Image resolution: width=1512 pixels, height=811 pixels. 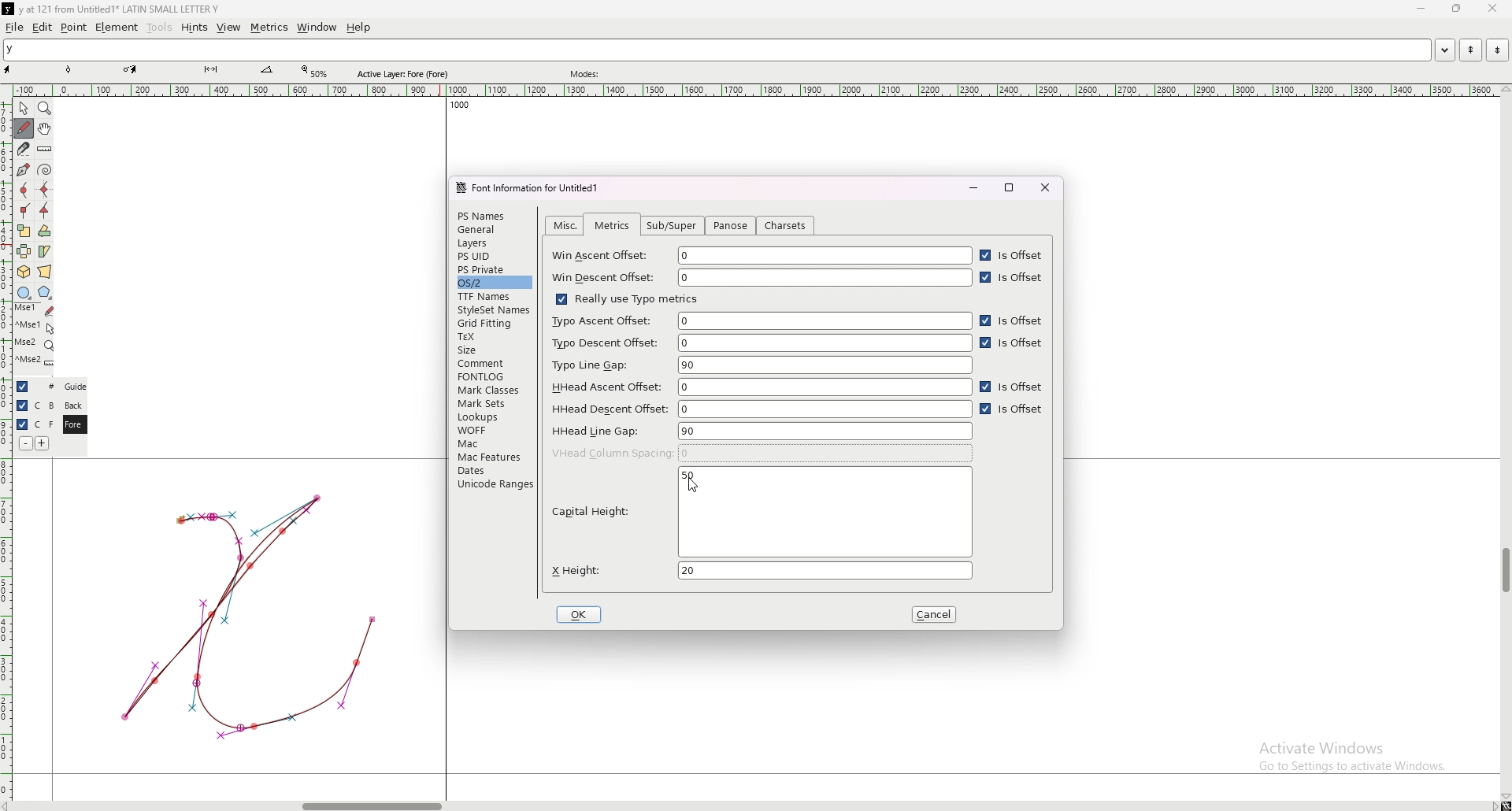 I want to click on really use typo metrics, so click(x=625, y=298).